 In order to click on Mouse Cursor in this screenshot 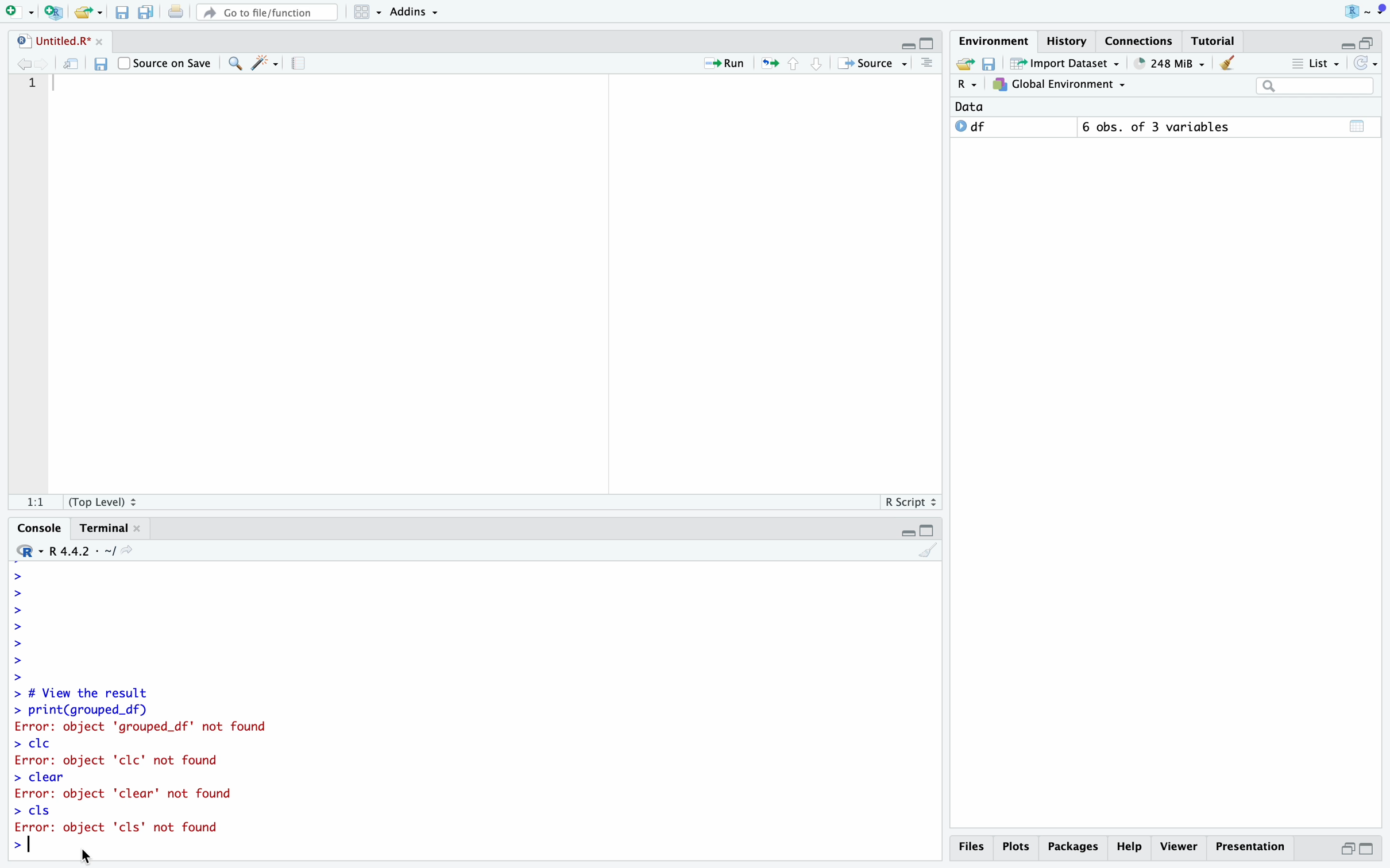, I will do `click(88, 855)`.